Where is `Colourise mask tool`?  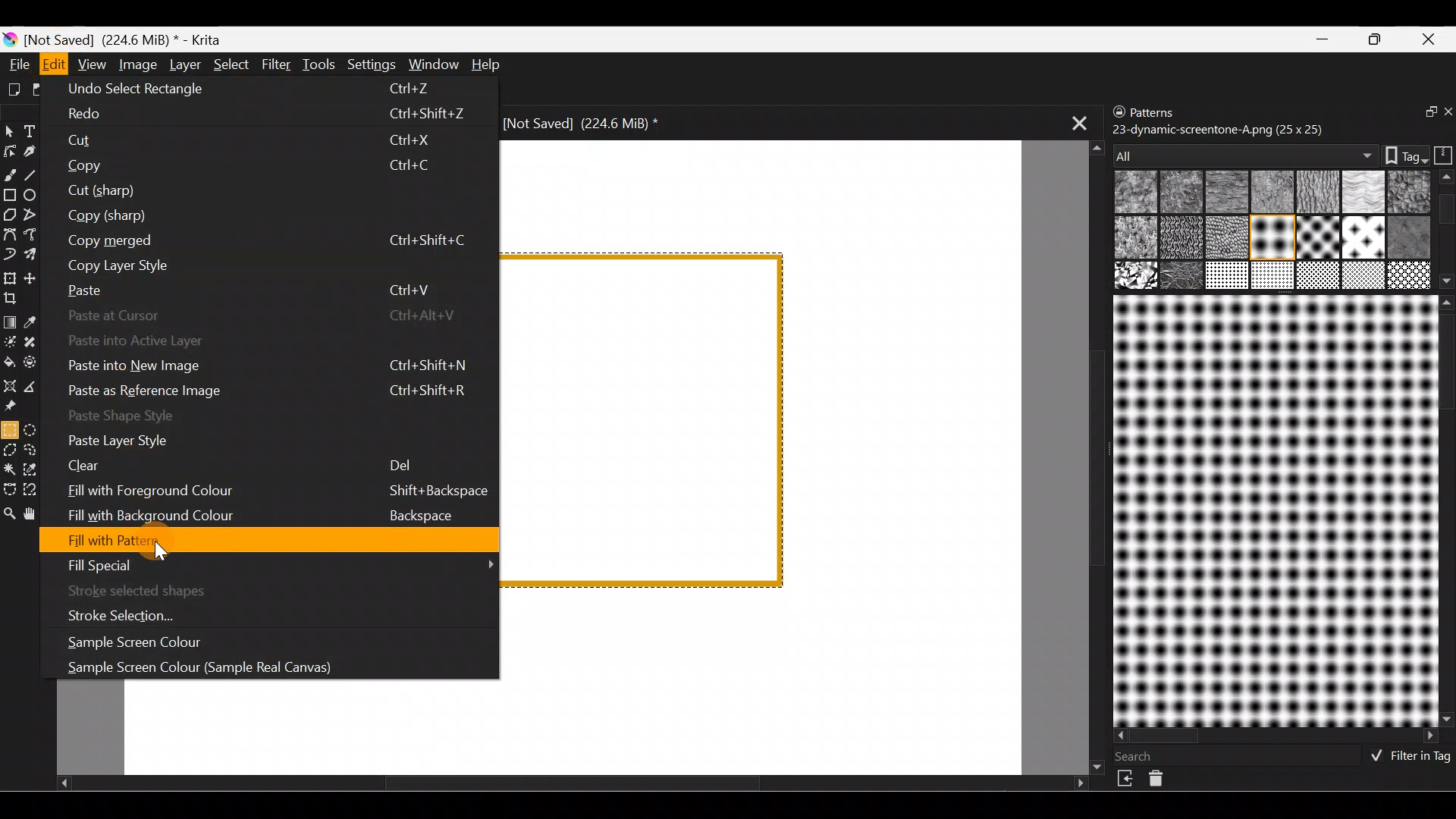
Colourise mask tool is located at coordinates (9, 341).